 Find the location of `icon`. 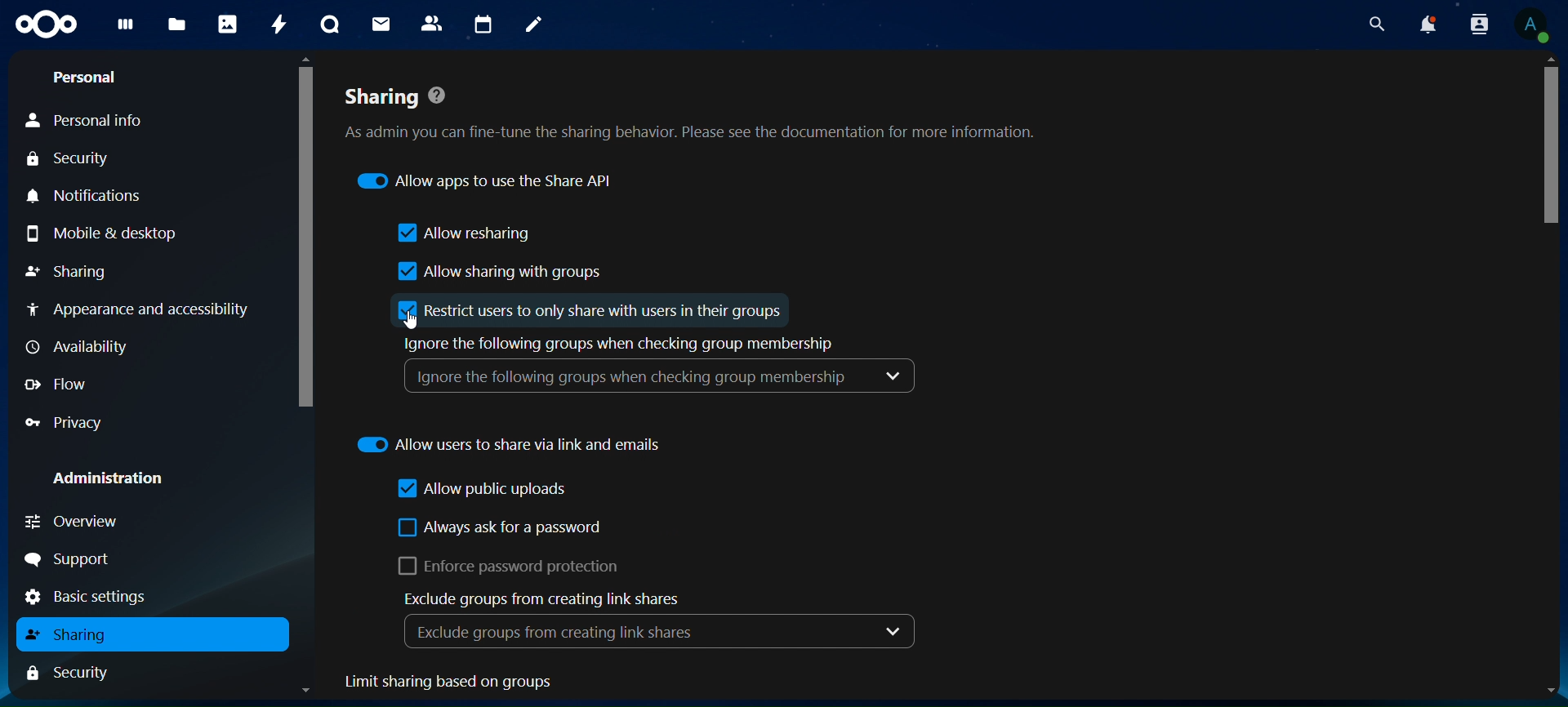

icon is located at coordinates (46, 25).